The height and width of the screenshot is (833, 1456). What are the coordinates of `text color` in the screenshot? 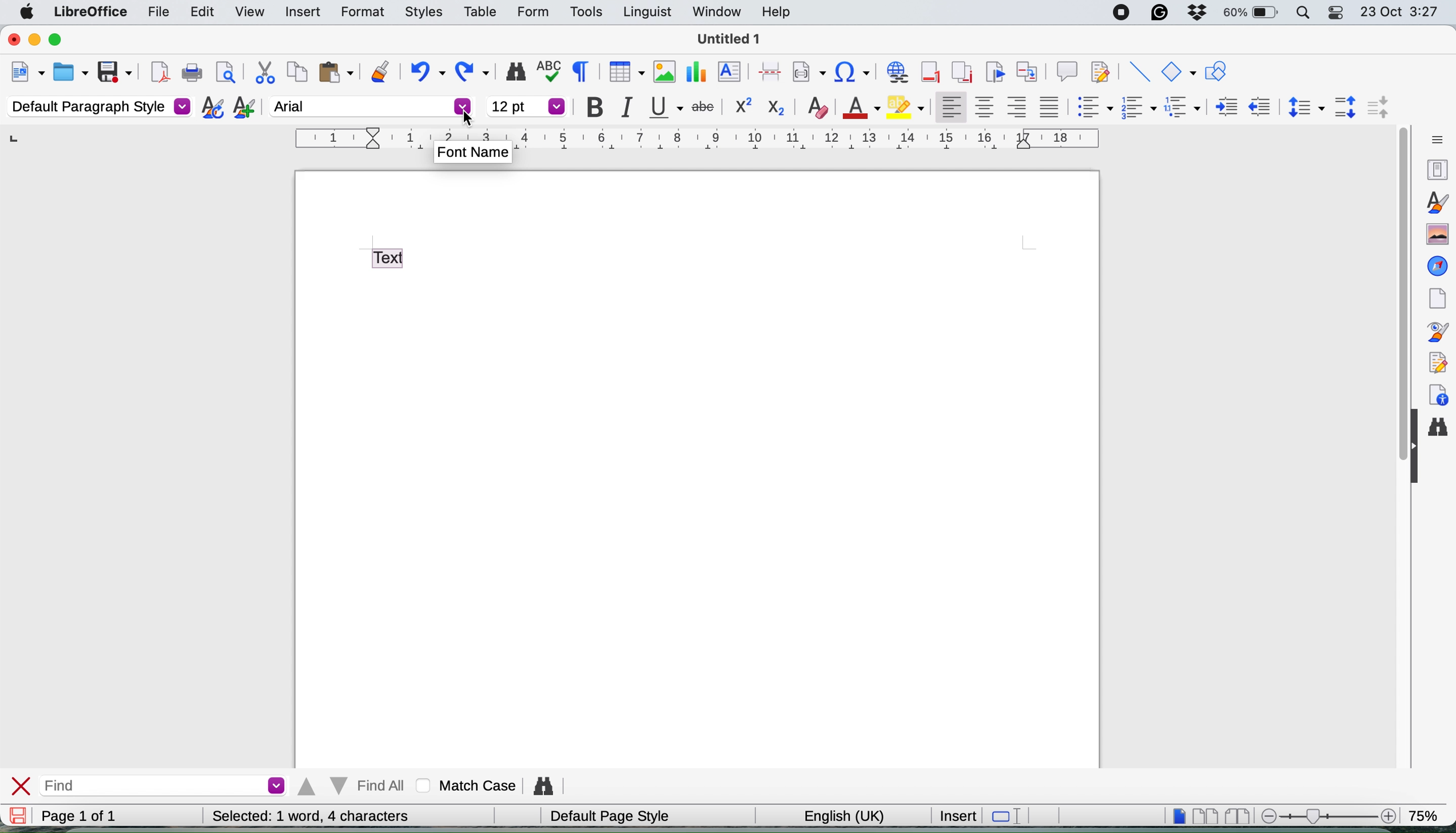 It's located at (861, 106).